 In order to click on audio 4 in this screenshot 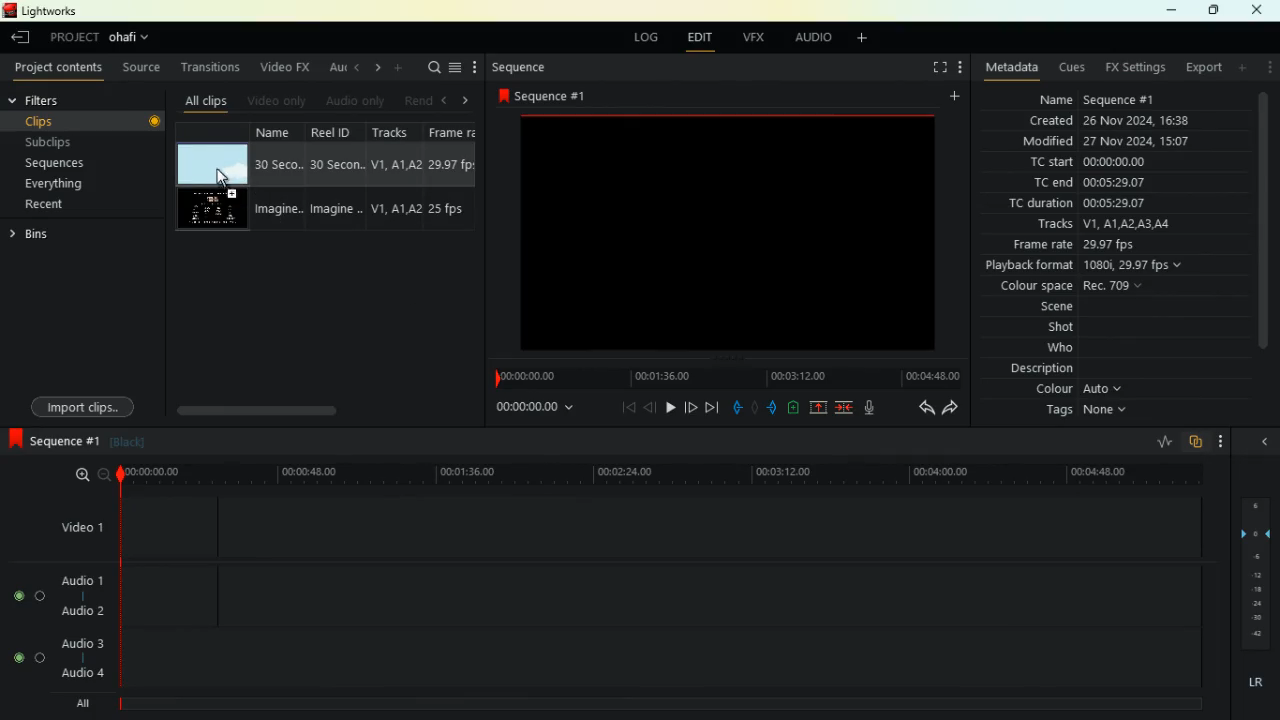, I will do `click(75, 674)`.